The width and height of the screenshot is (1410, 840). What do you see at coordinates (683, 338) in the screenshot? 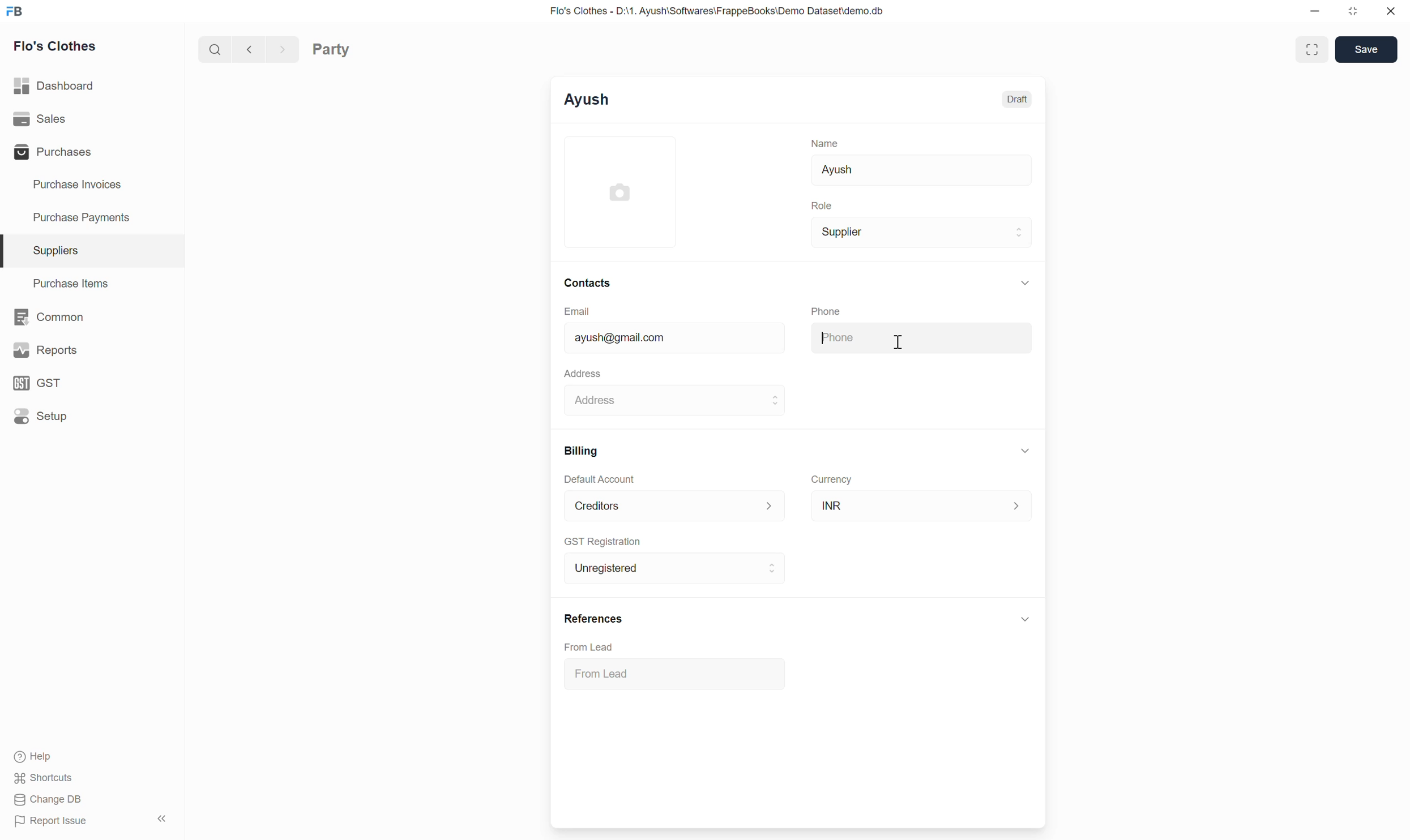
I see `john@doe.com` at bounding box center [683, 338].